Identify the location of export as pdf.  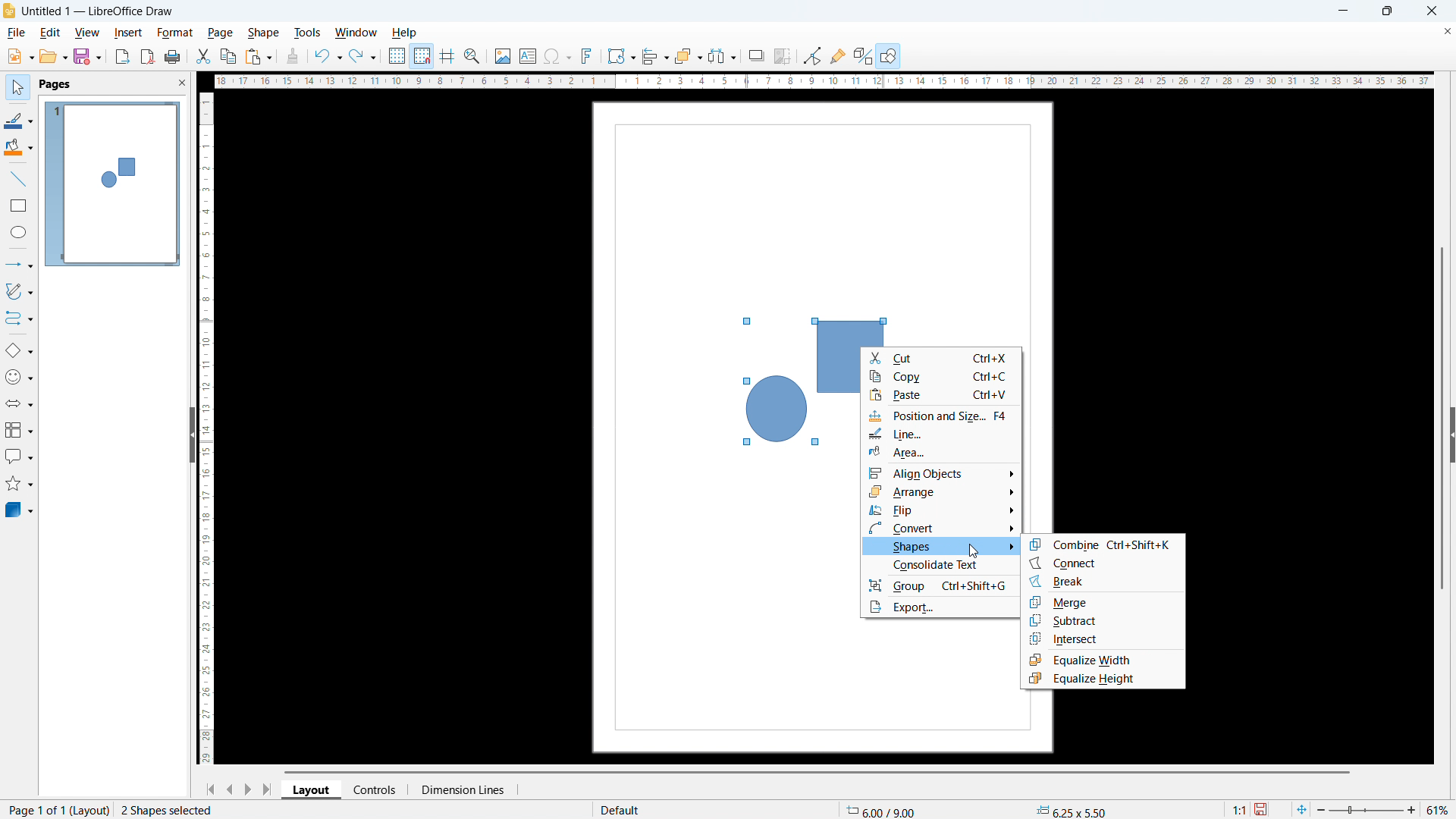
(148, 57).